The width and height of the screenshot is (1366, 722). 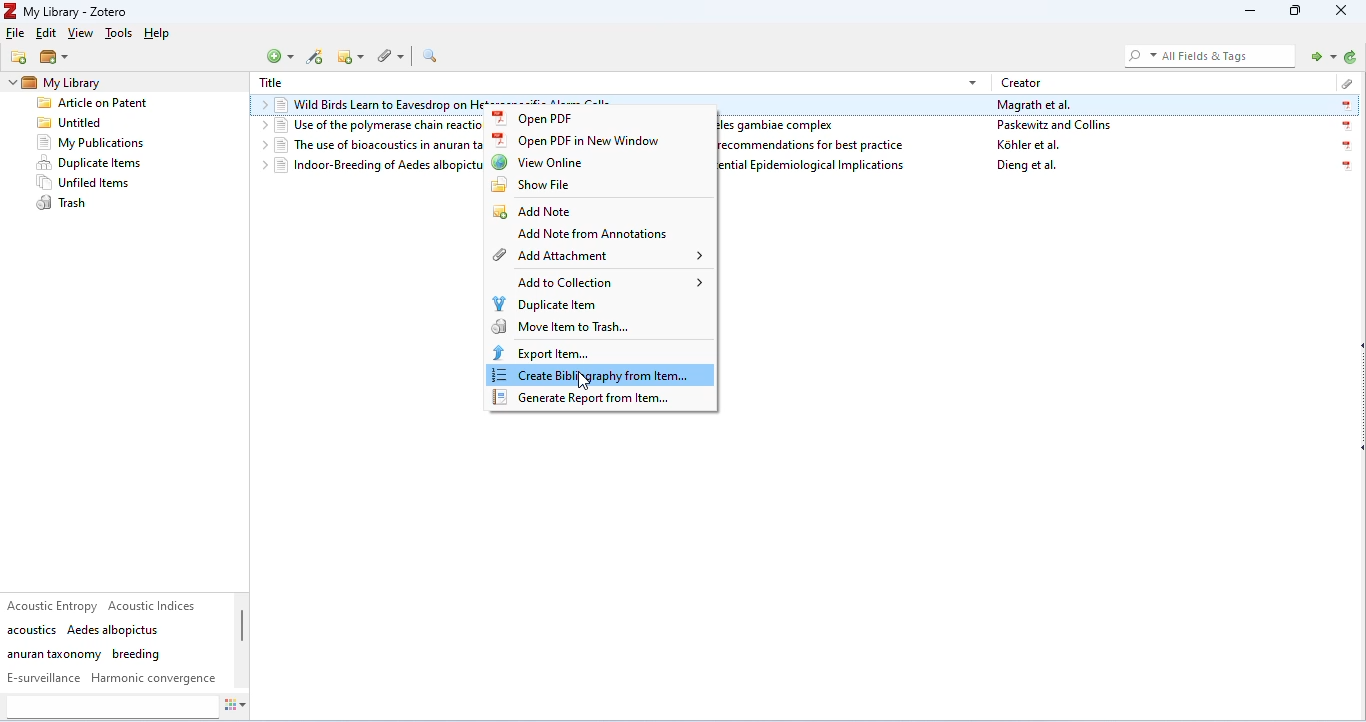 What do you see at coordinates (317, 58) in the screenshot?
I see `add item` at bounding box center [317, 58].